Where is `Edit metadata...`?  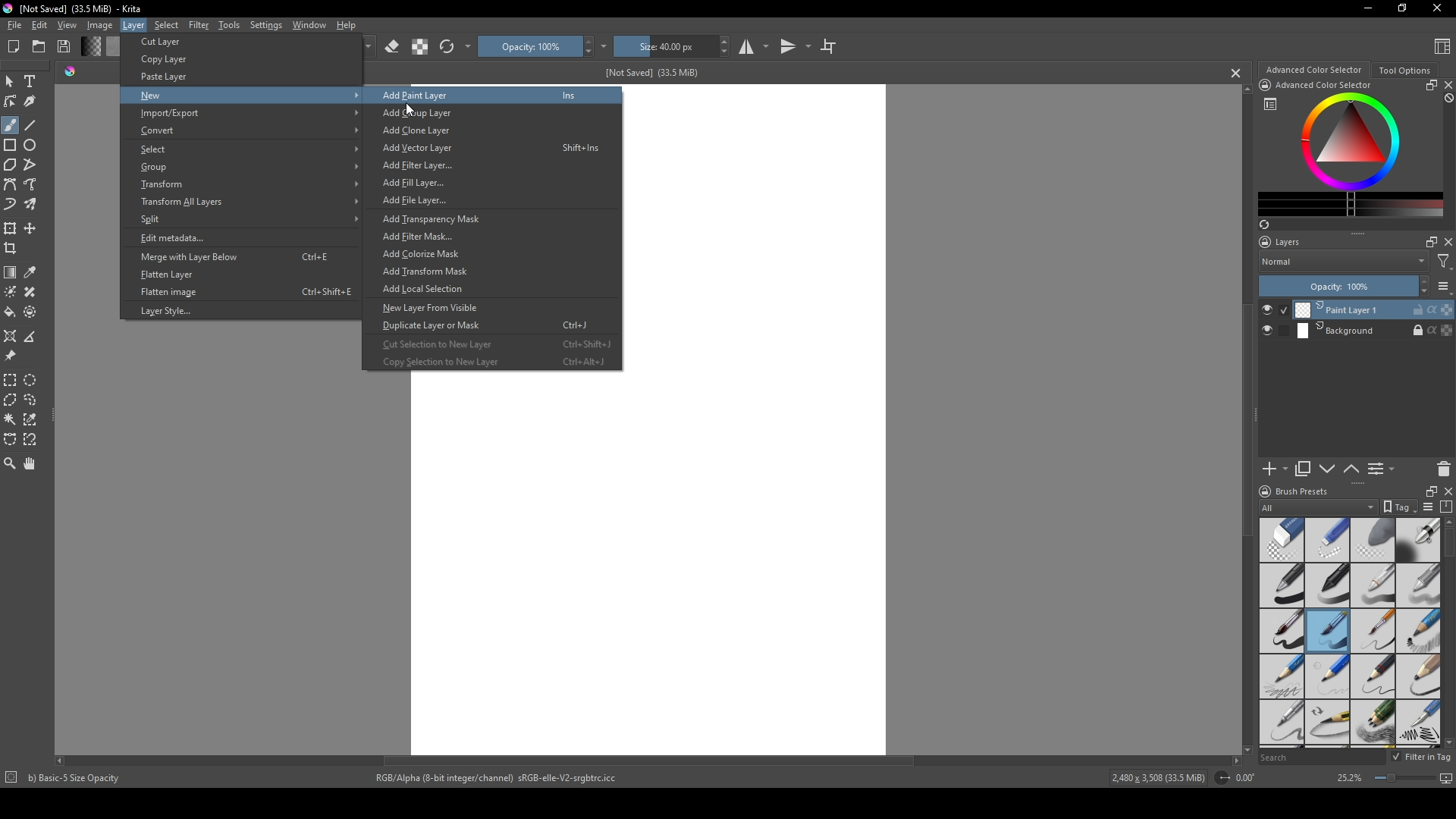
Edit metadata... is located at coordinates (180, 237).